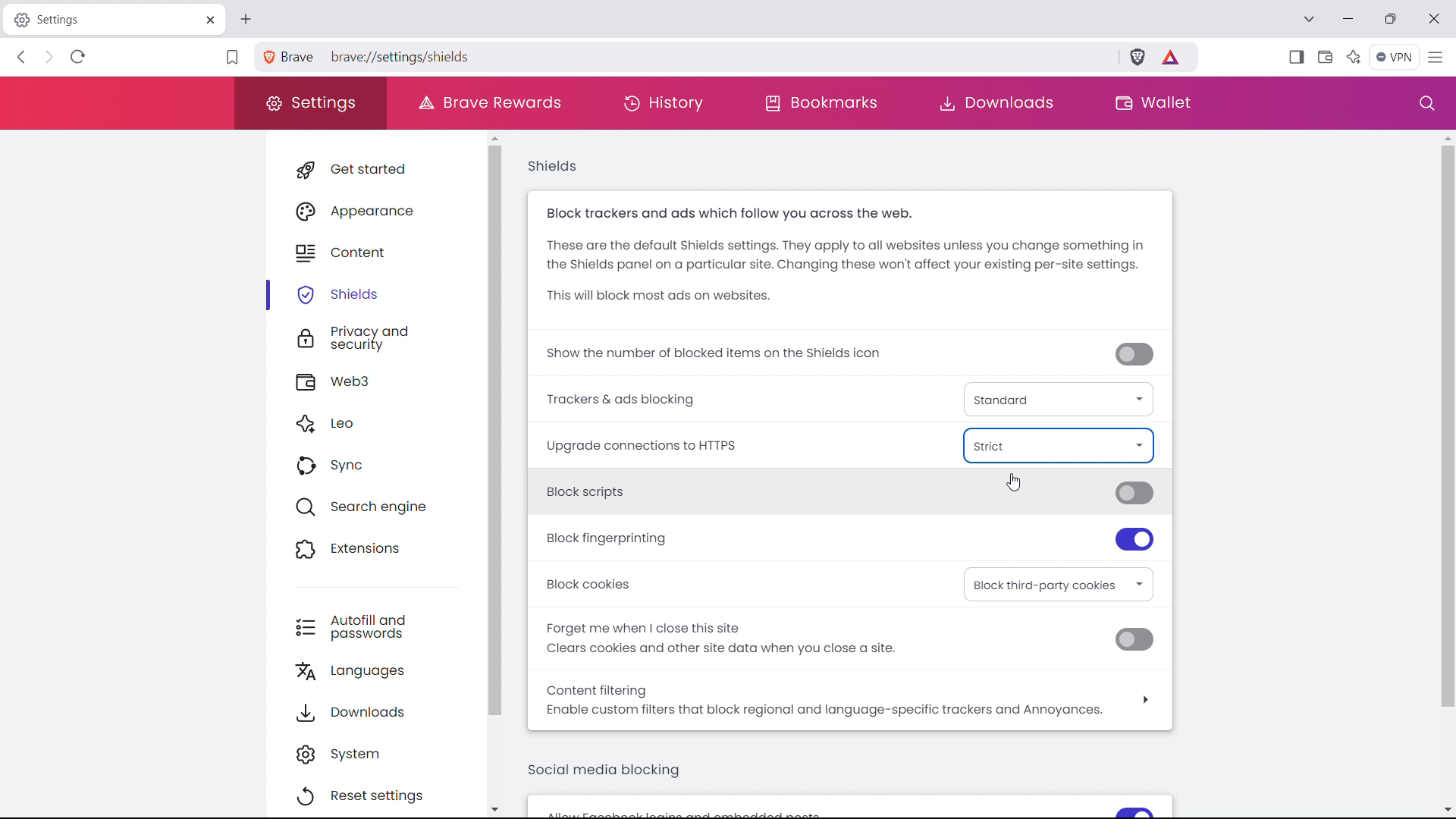 The height and width of the screenshot is (819, 1456). I want to click on enabled https everywhere, so click(1058, 446).